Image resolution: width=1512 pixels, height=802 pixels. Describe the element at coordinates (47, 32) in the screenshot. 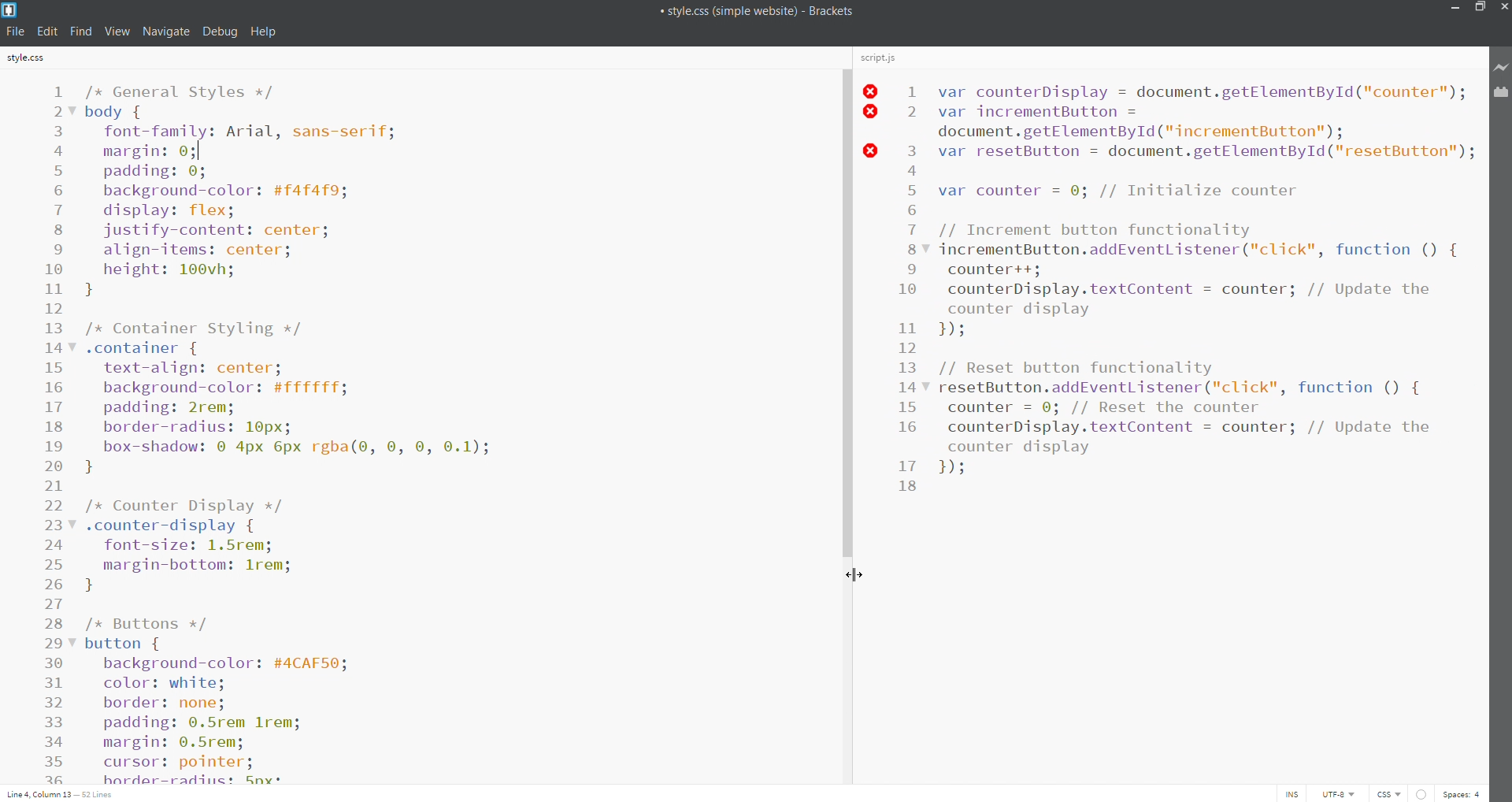

I see `edit` at that location.